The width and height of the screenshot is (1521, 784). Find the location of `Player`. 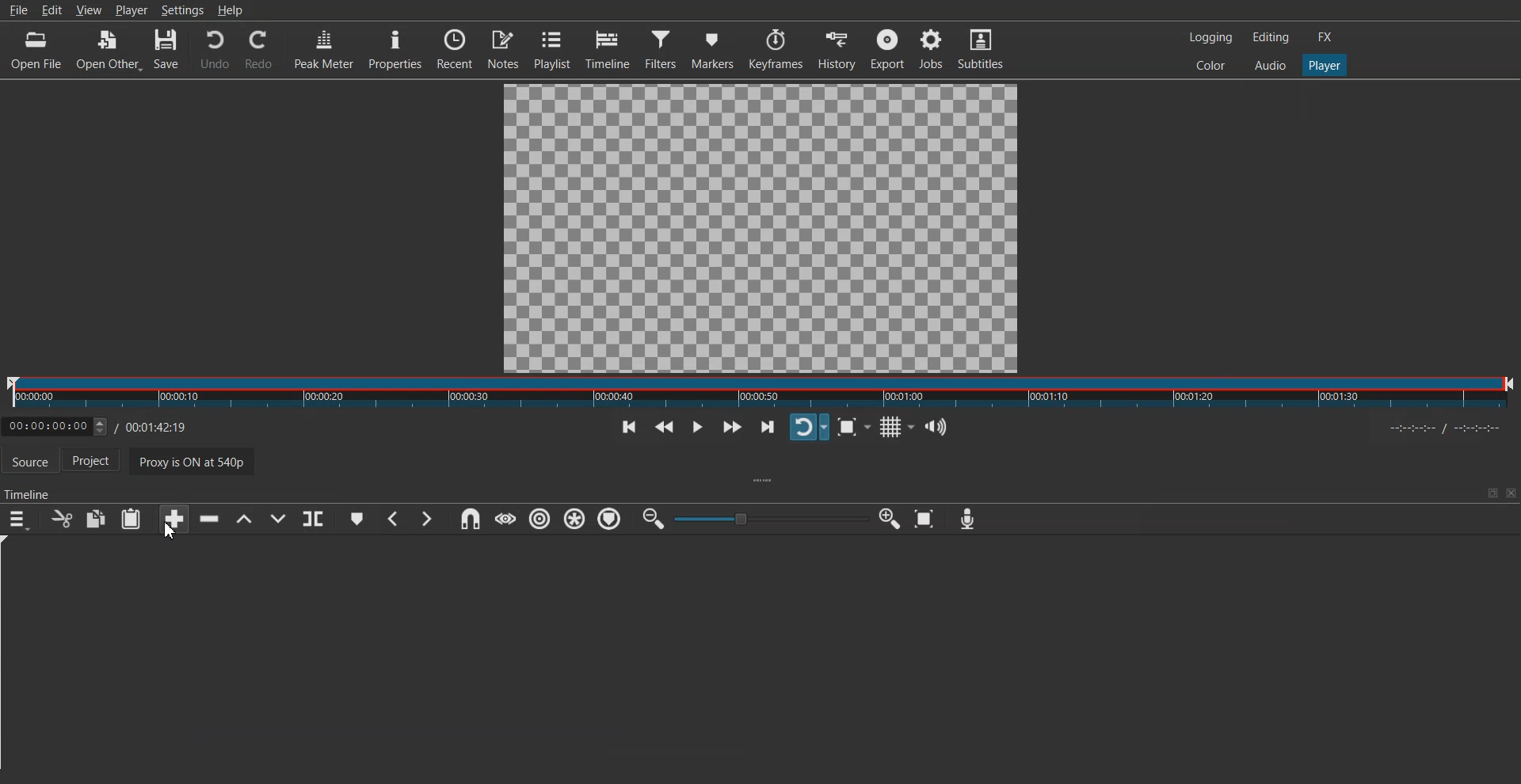

Player is located at coordinates (1325, 66).